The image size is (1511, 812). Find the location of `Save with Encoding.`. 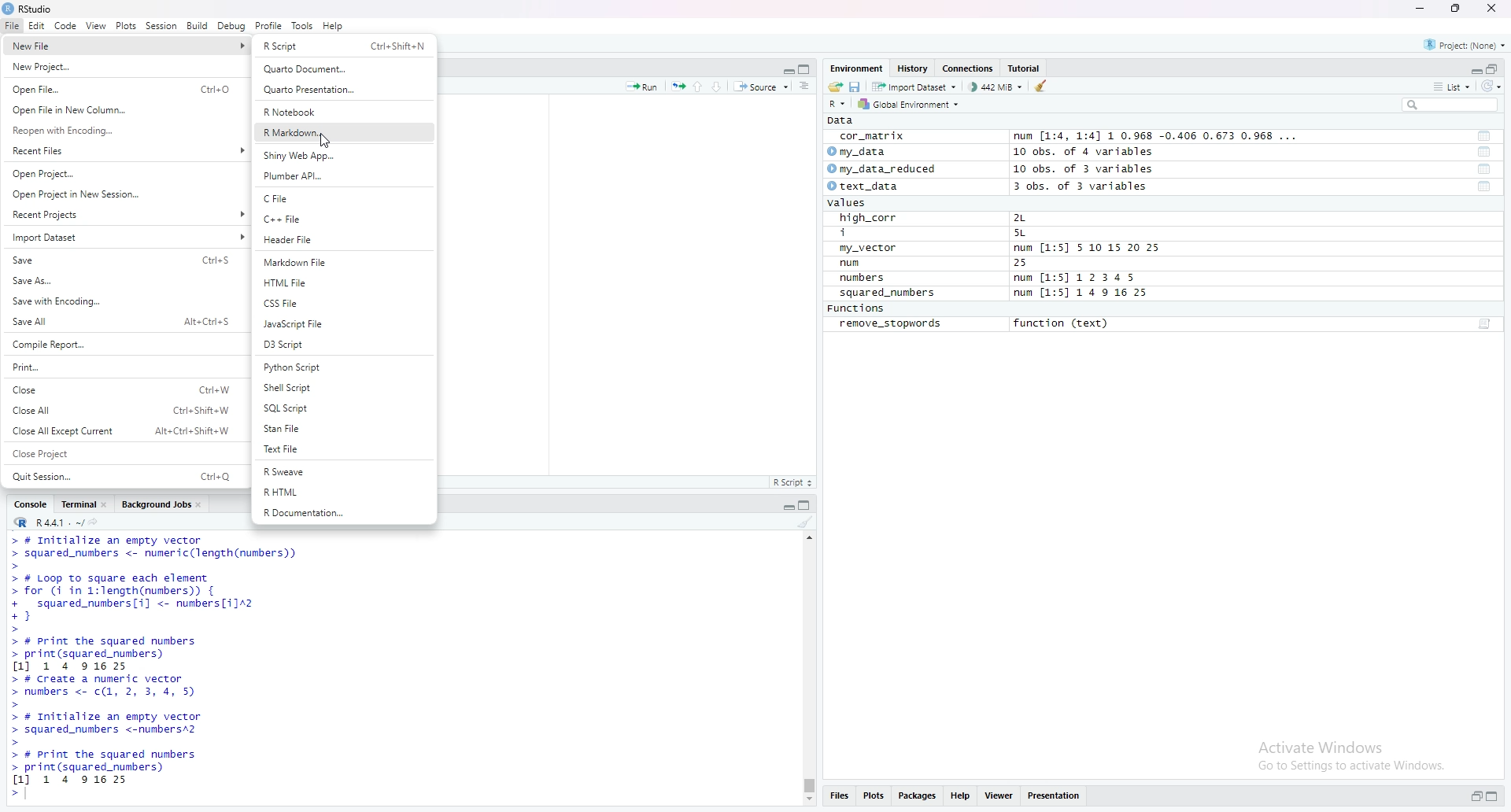

Save with Encoding. is located at coordinates (120, 301).